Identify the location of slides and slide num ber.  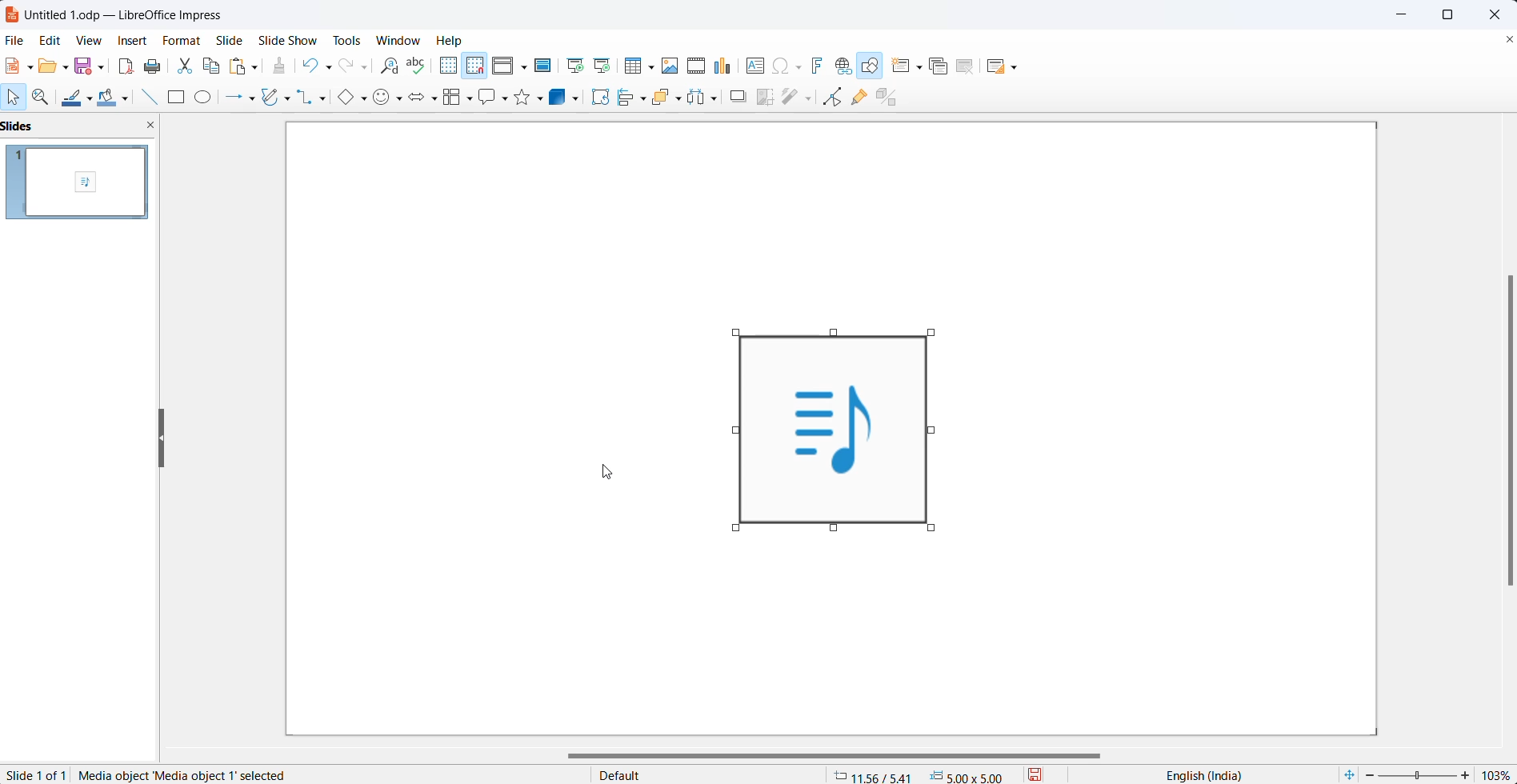
(78, 183).